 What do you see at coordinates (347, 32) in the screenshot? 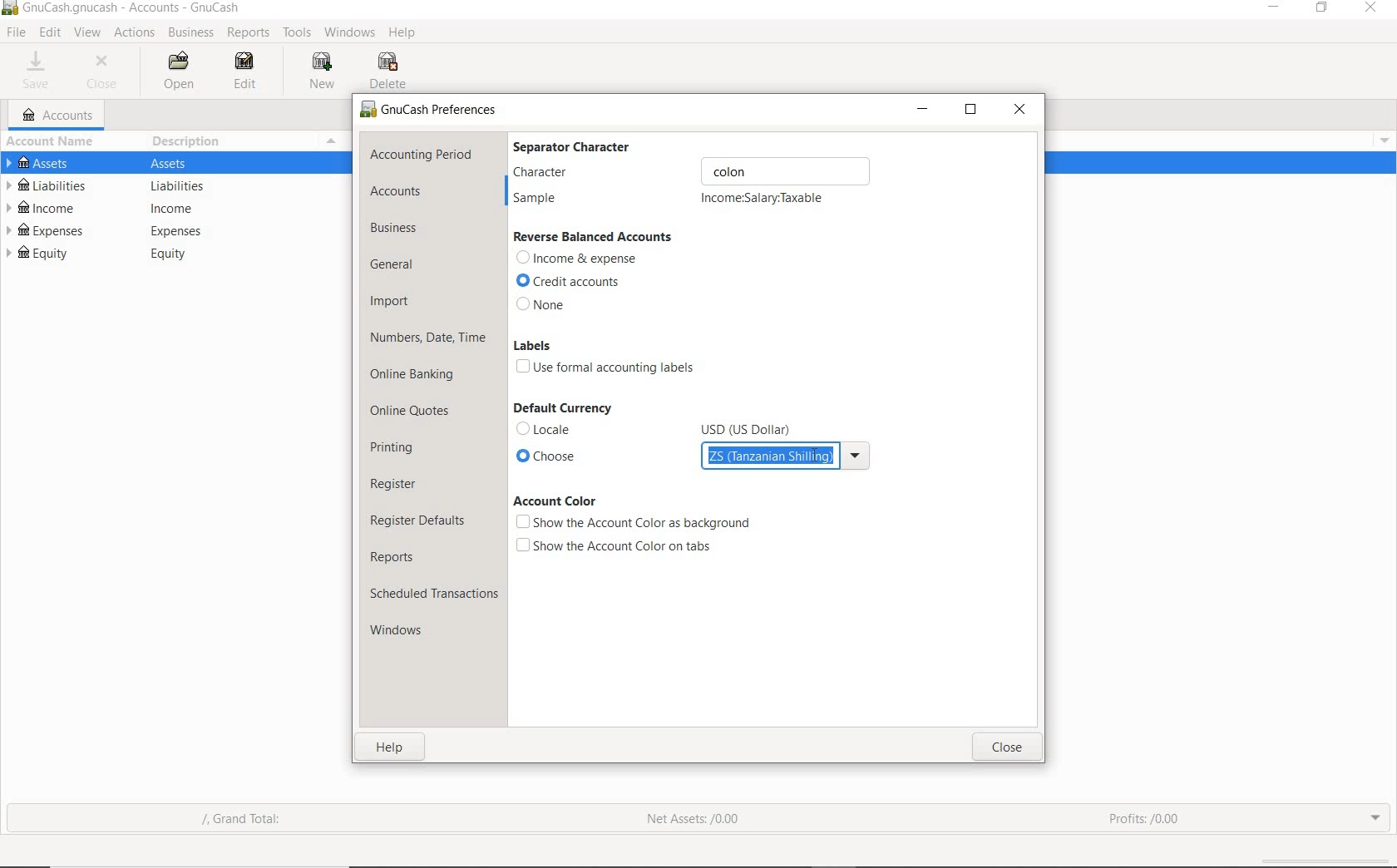
I see `WINDOWS` at bounding box center [347, 32].